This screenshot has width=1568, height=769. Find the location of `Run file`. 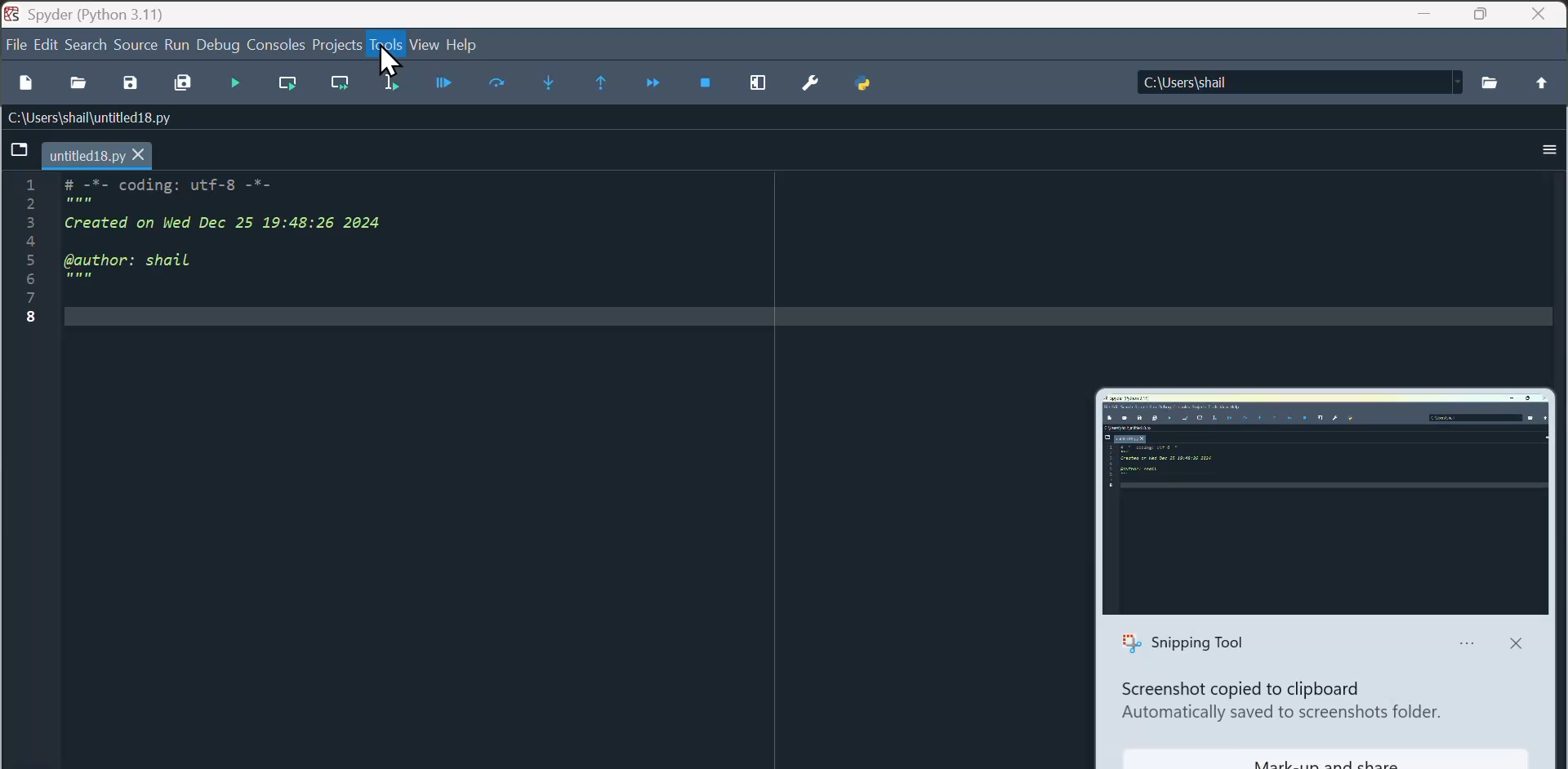

Run file is located at coordinates (236, 81).